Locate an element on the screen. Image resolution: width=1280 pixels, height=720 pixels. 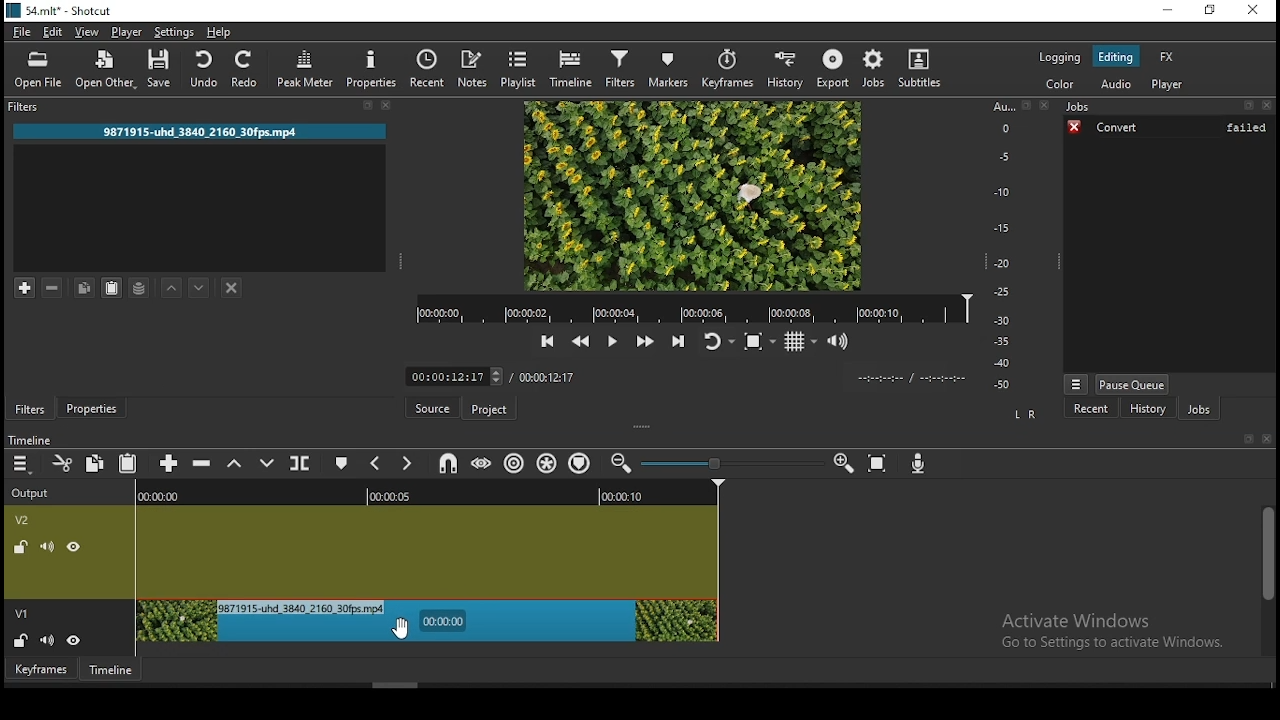
(un)locked is located at coordinates (23, 639).